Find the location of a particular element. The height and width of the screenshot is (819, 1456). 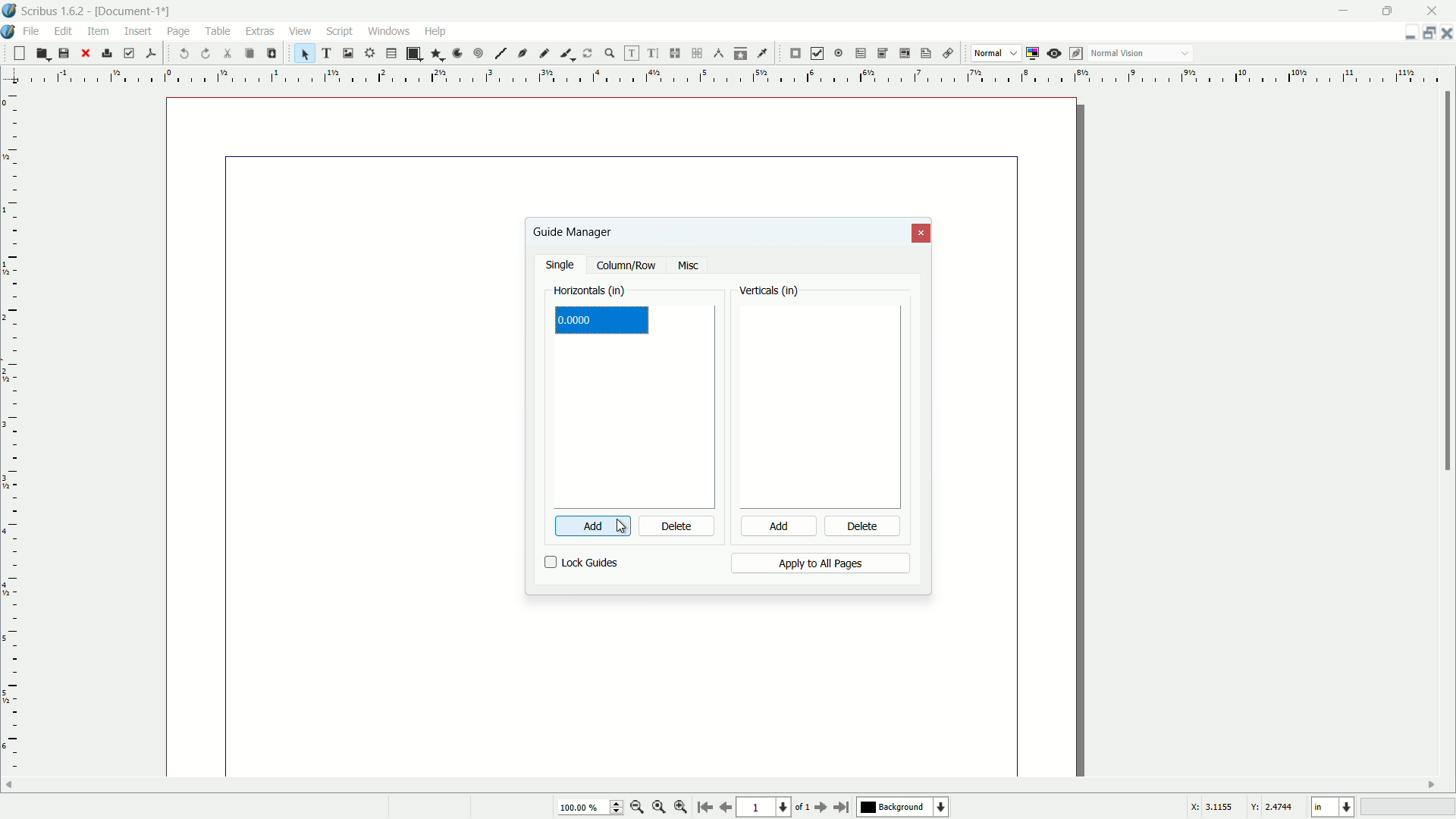

polygon is located at coordinates (437, 55).